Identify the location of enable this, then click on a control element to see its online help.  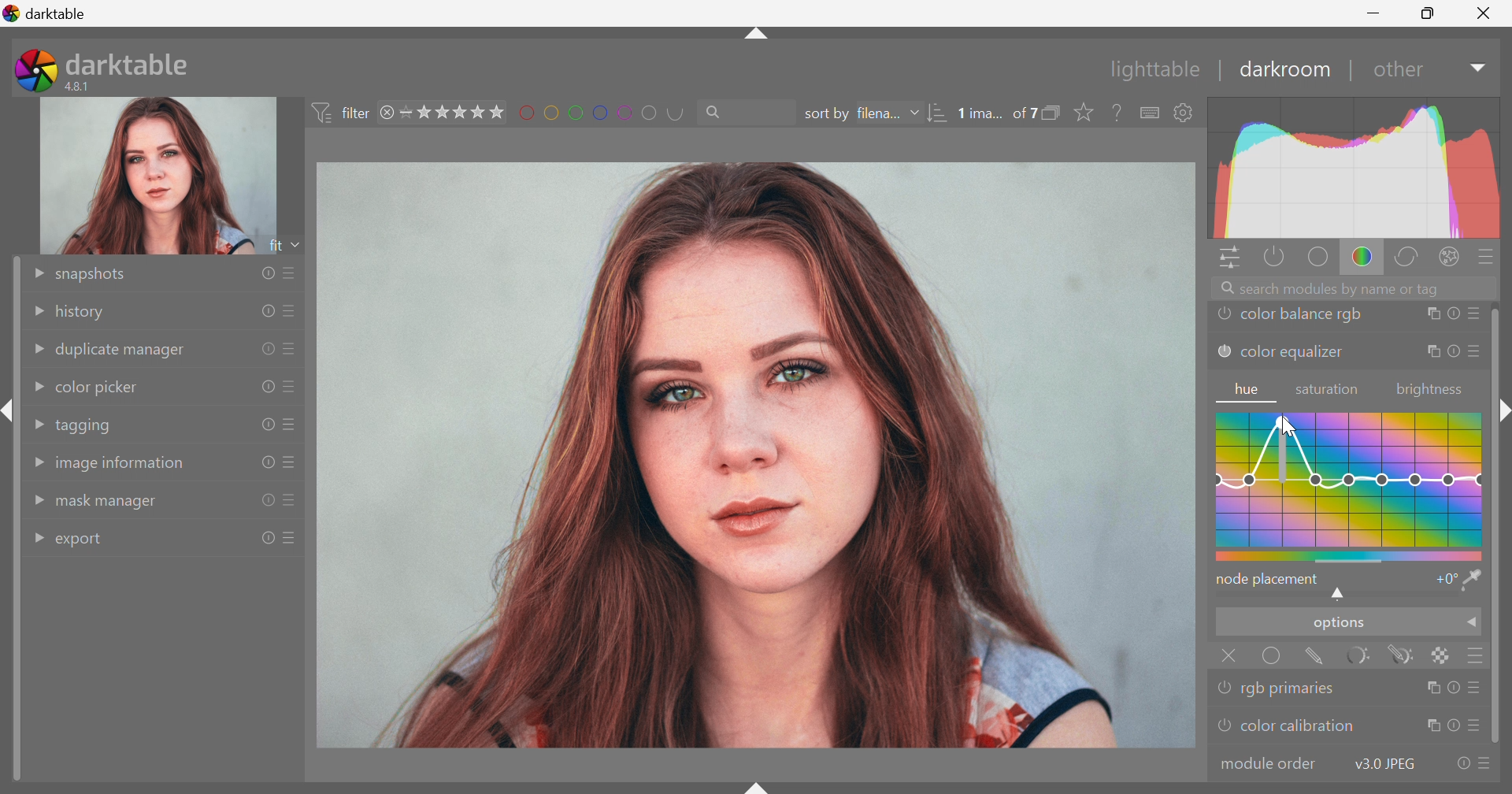
(1118, 112).